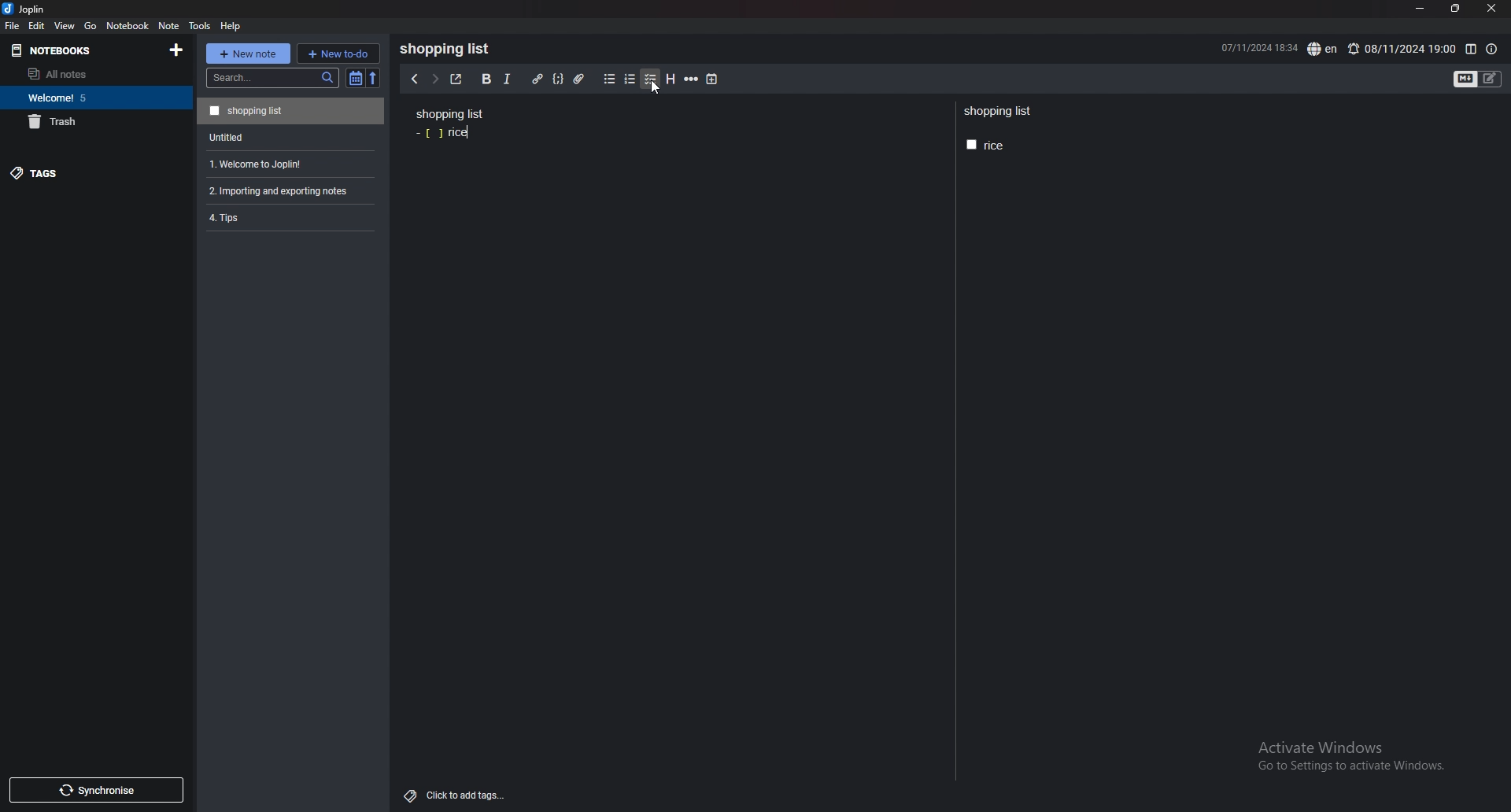  Describe the element at coordinates (456, 796) in the screenshot. I see `add tags` at that location.